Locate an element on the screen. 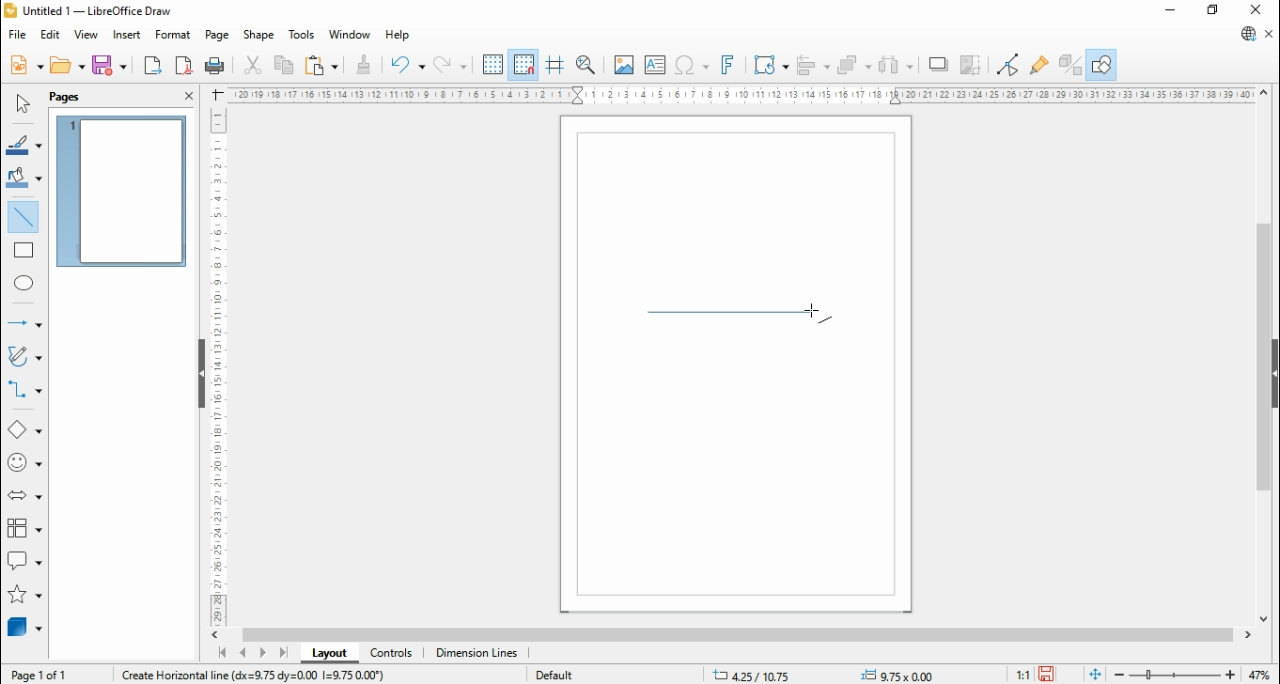 The height and width of the screenshot is (684, 1280). ellipse is located at coordinates (24, 282).